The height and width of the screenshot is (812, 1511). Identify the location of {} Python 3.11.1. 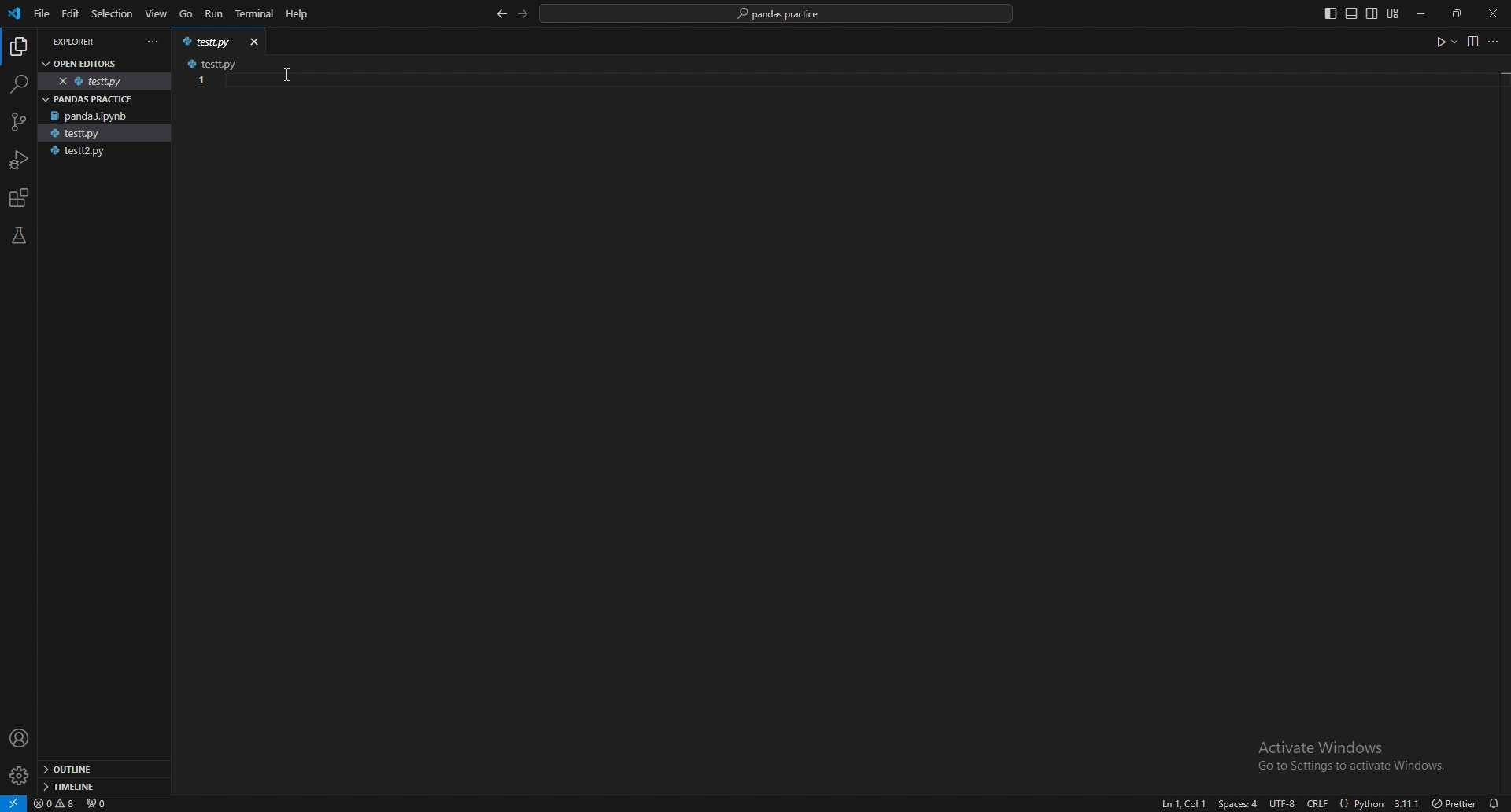
(1380, 800).